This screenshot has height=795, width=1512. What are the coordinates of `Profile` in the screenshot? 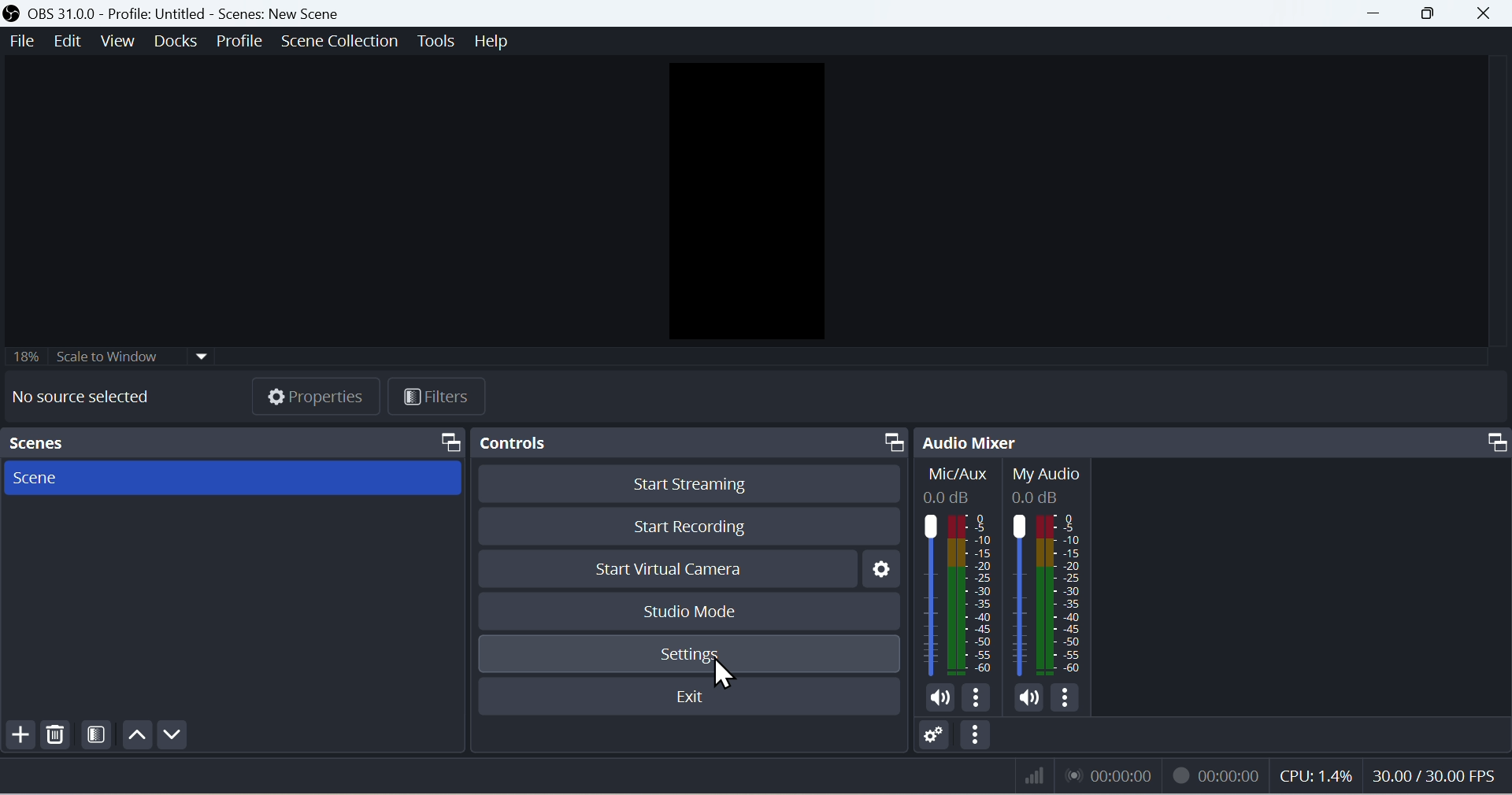 It's located at (240, 39).